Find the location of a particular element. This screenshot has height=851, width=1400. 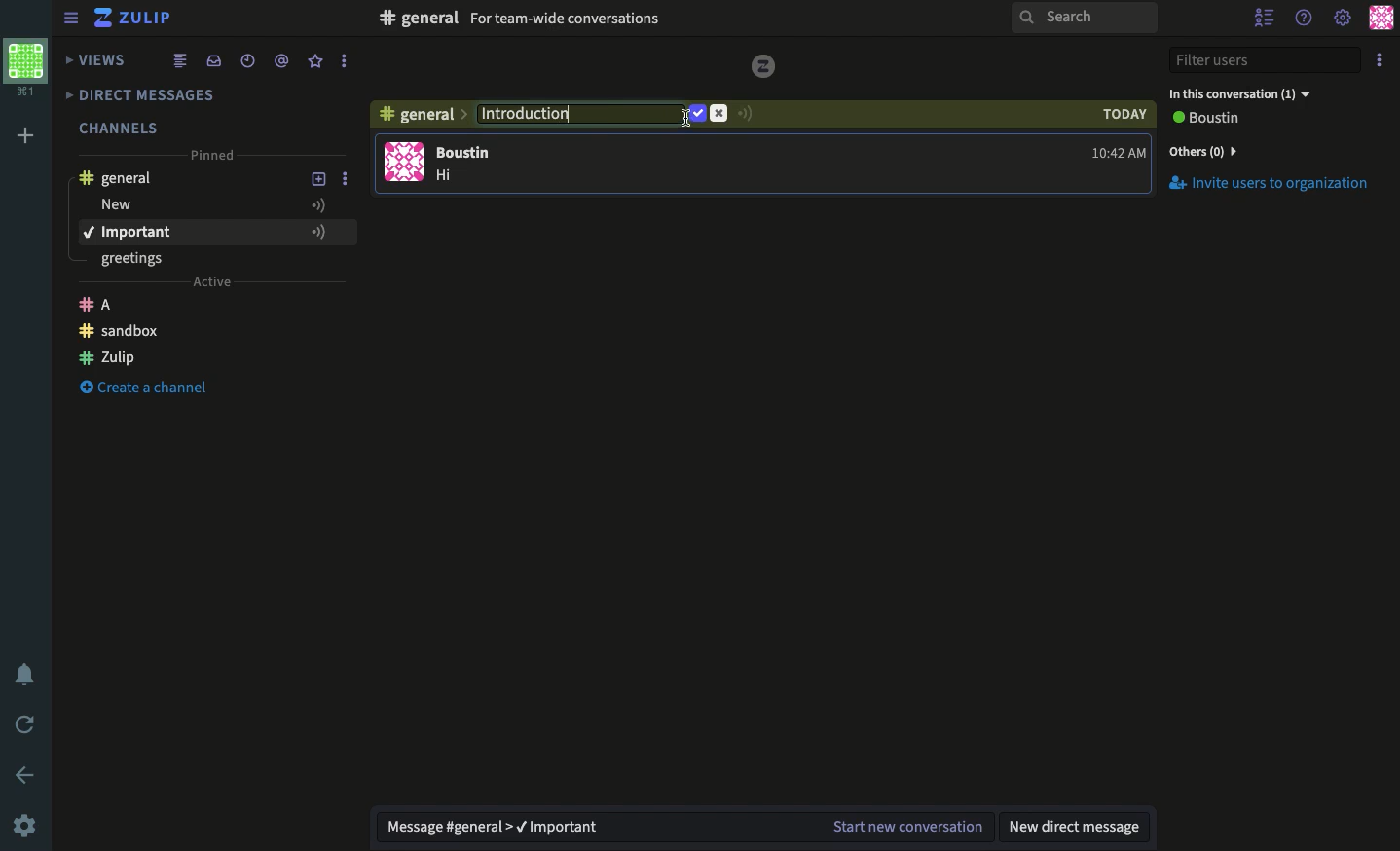

Workspace profile is located at coordinates (30, 68).